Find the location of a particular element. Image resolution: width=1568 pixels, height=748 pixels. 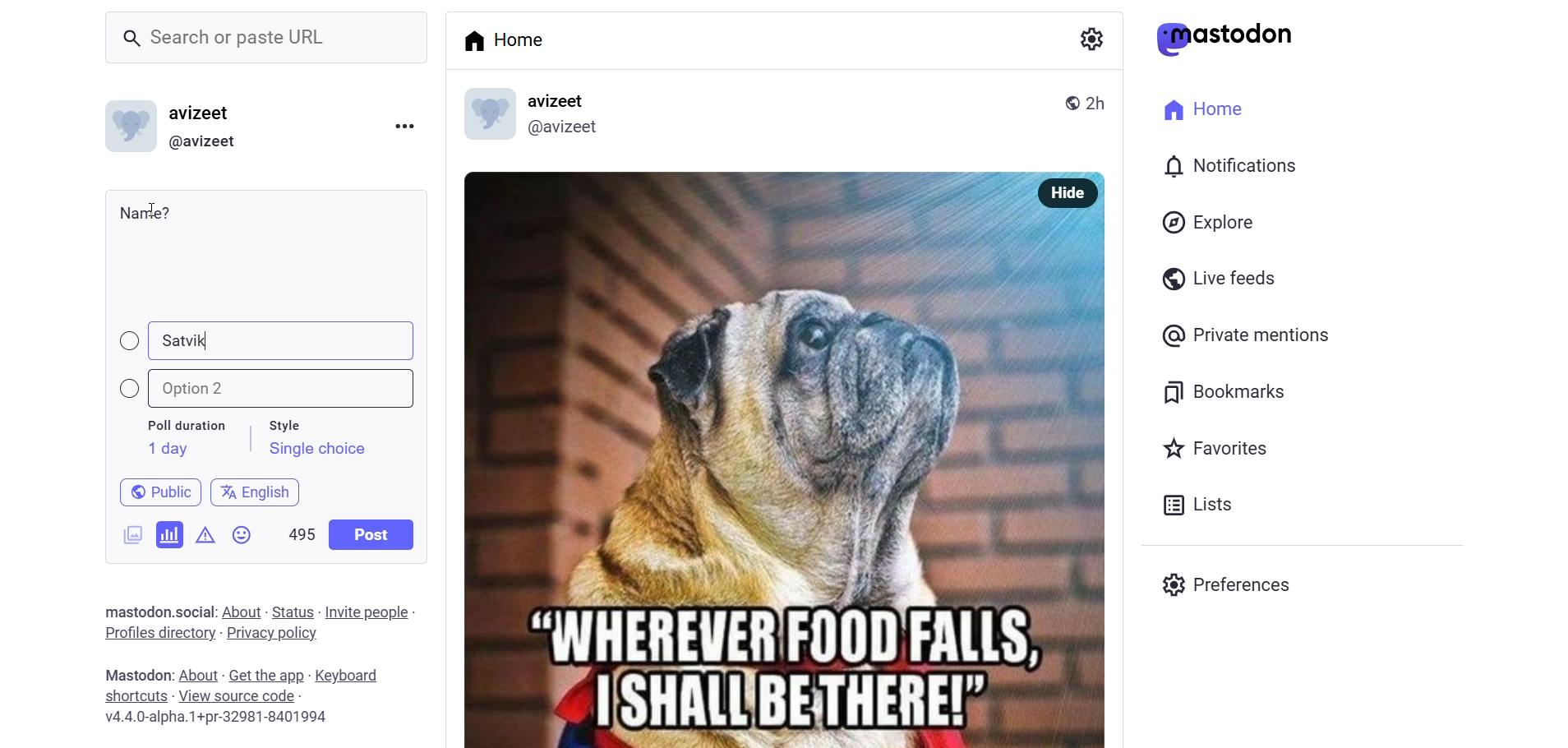

content warning is located at coordinates (205, 532).